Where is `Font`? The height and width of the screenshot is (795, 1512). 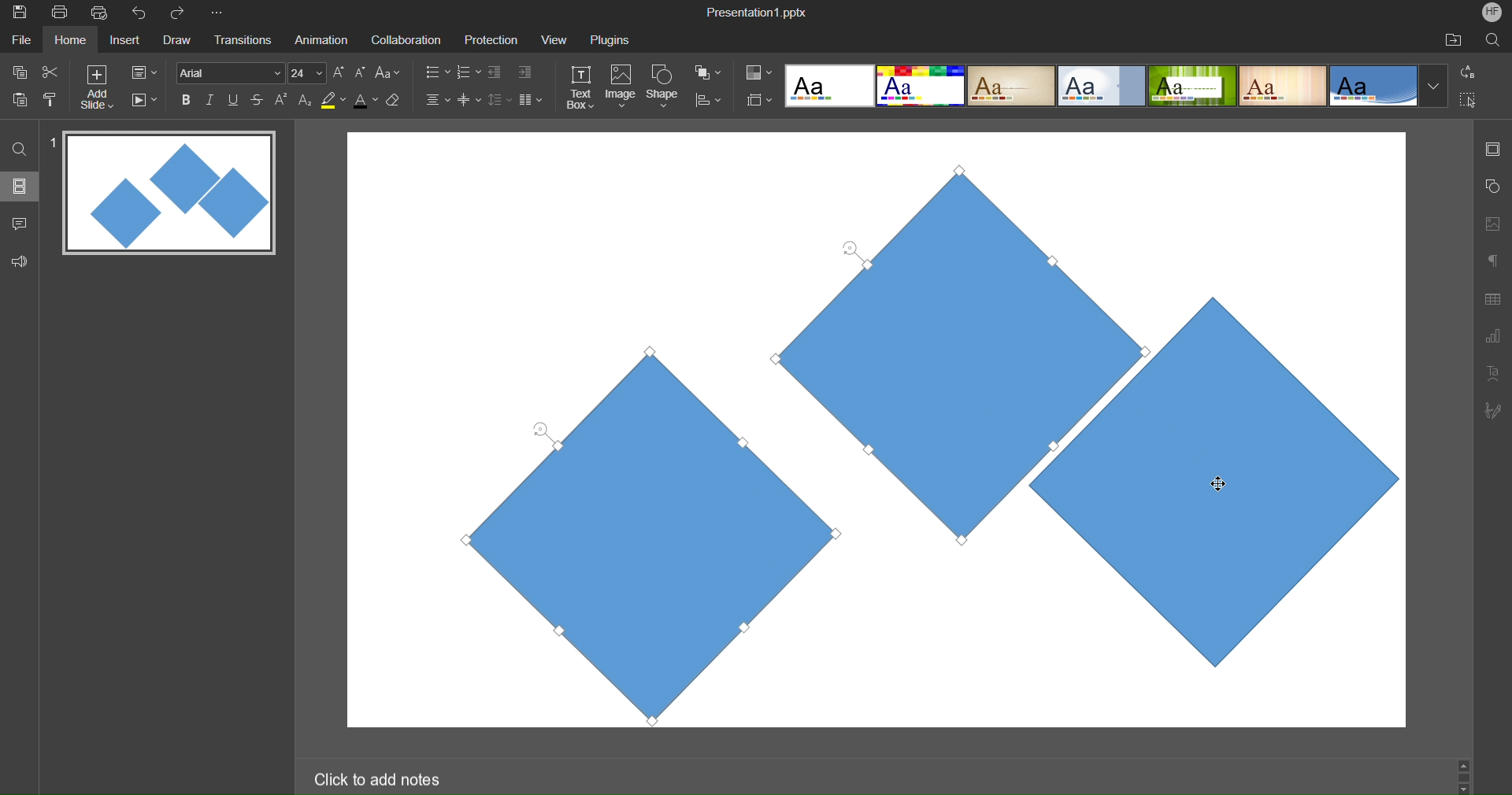 Font is located at coordinates (228, 72).